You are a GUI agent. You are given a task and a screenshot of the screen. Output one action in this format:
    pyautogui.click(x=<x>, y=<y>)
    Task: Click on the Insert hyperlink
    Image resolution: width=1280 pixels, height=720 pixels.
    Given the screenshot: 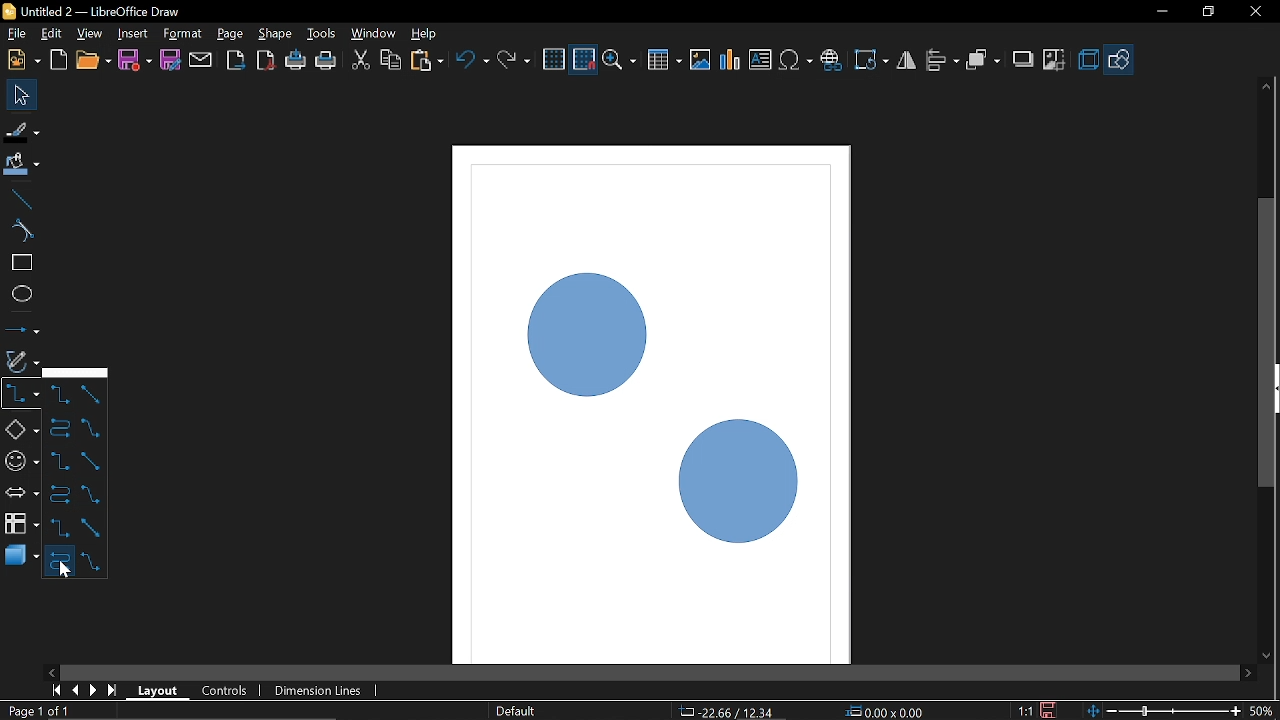 What is the action you would take?
    pyautogui.click(x=833, y=61)
    